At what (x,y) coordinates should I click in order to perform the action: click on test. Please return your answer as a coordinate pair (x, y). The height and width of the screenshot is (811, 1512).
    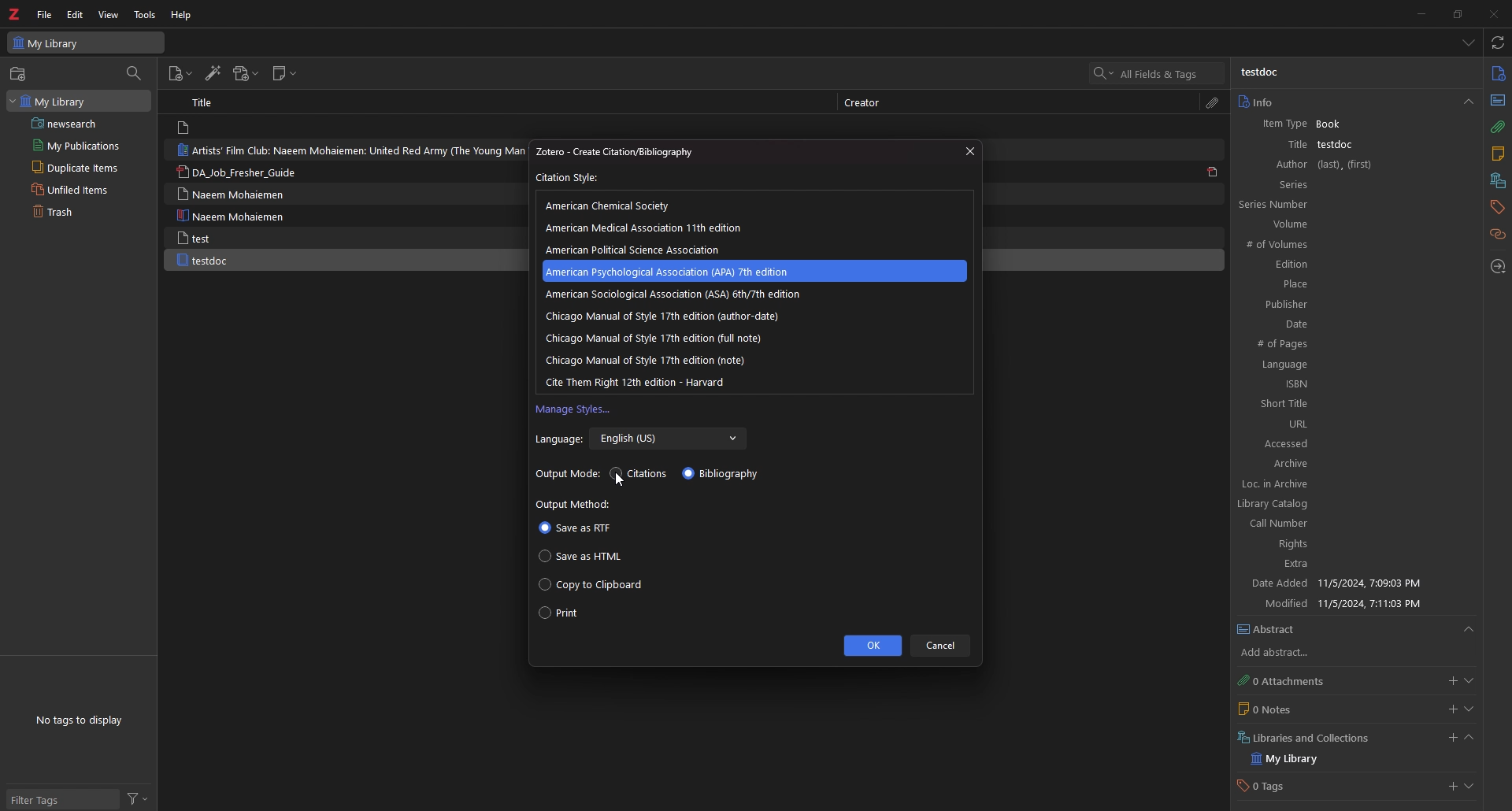
    Looking at the image, I should click on (196, 238).